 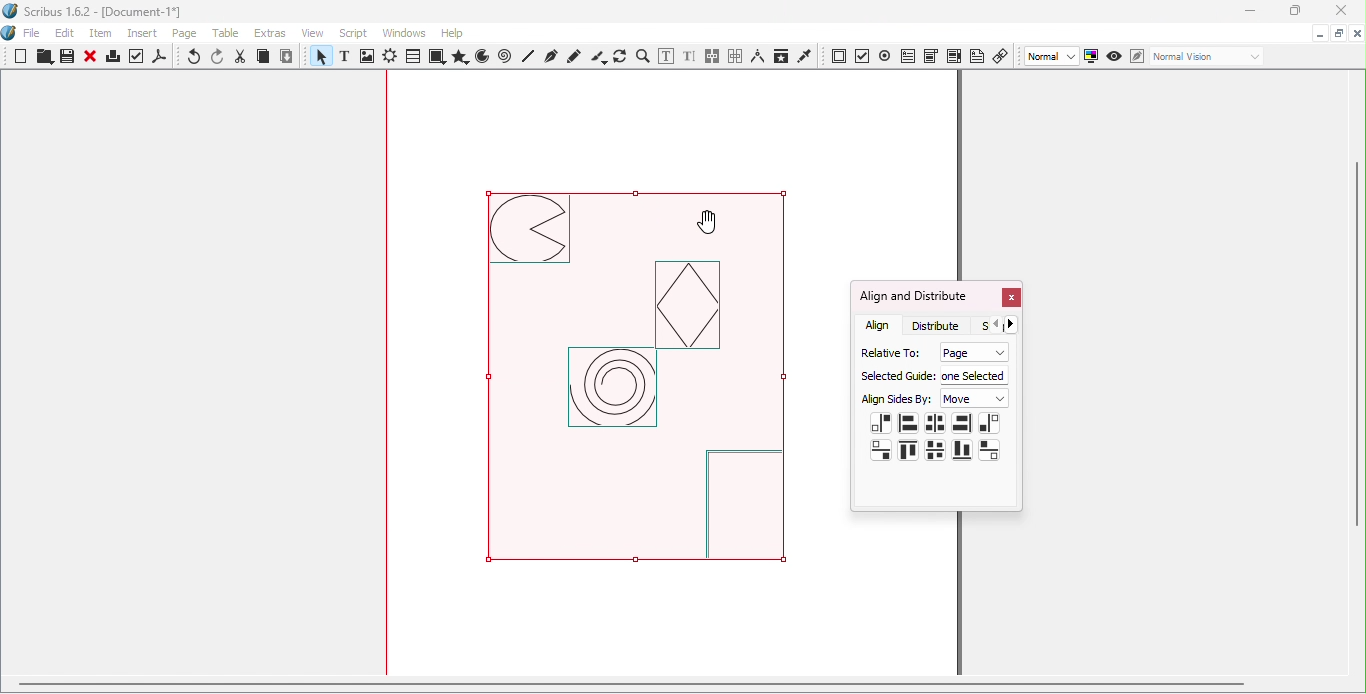 What do you see at coordinates (1338, 32) in the screenshot?
I see `Maximize` at bounding box center [1338, 32].